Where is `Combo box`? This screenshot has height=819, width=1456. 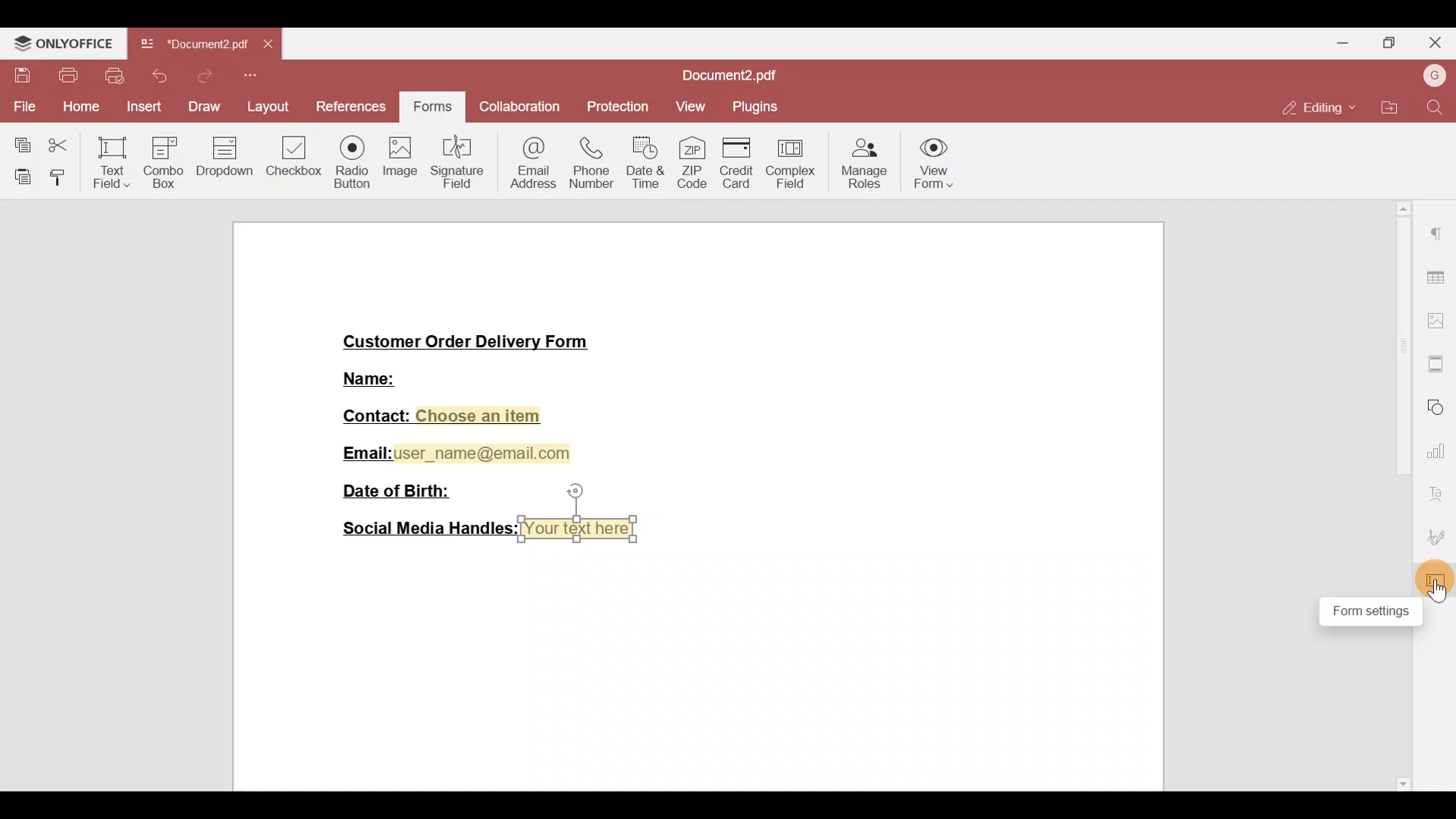
Combo box is located at coordinates (167, 160).